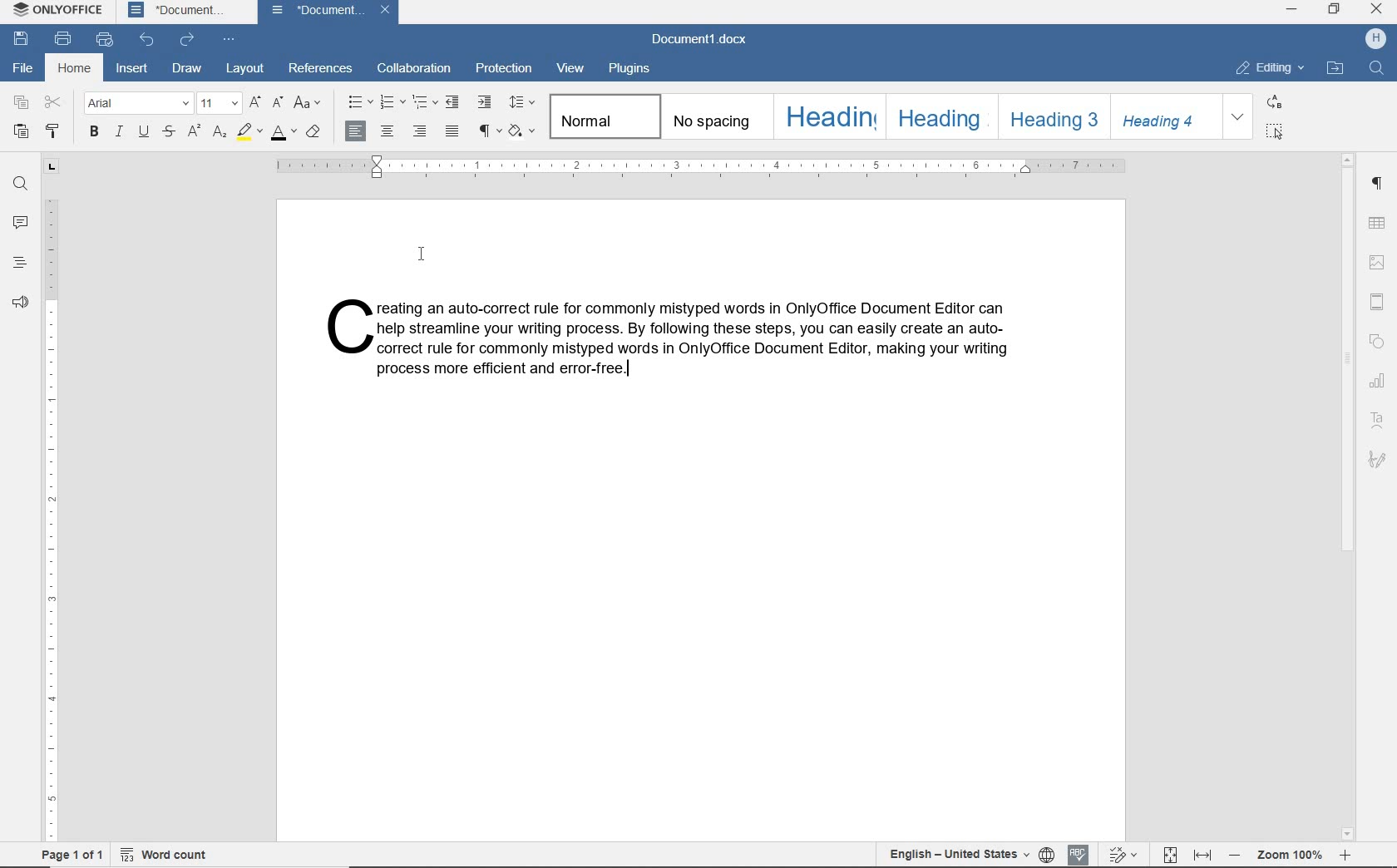  Describe the element at coordinates (455, 101) in the screenshot. I see `DECREASE INDENT` at that location.